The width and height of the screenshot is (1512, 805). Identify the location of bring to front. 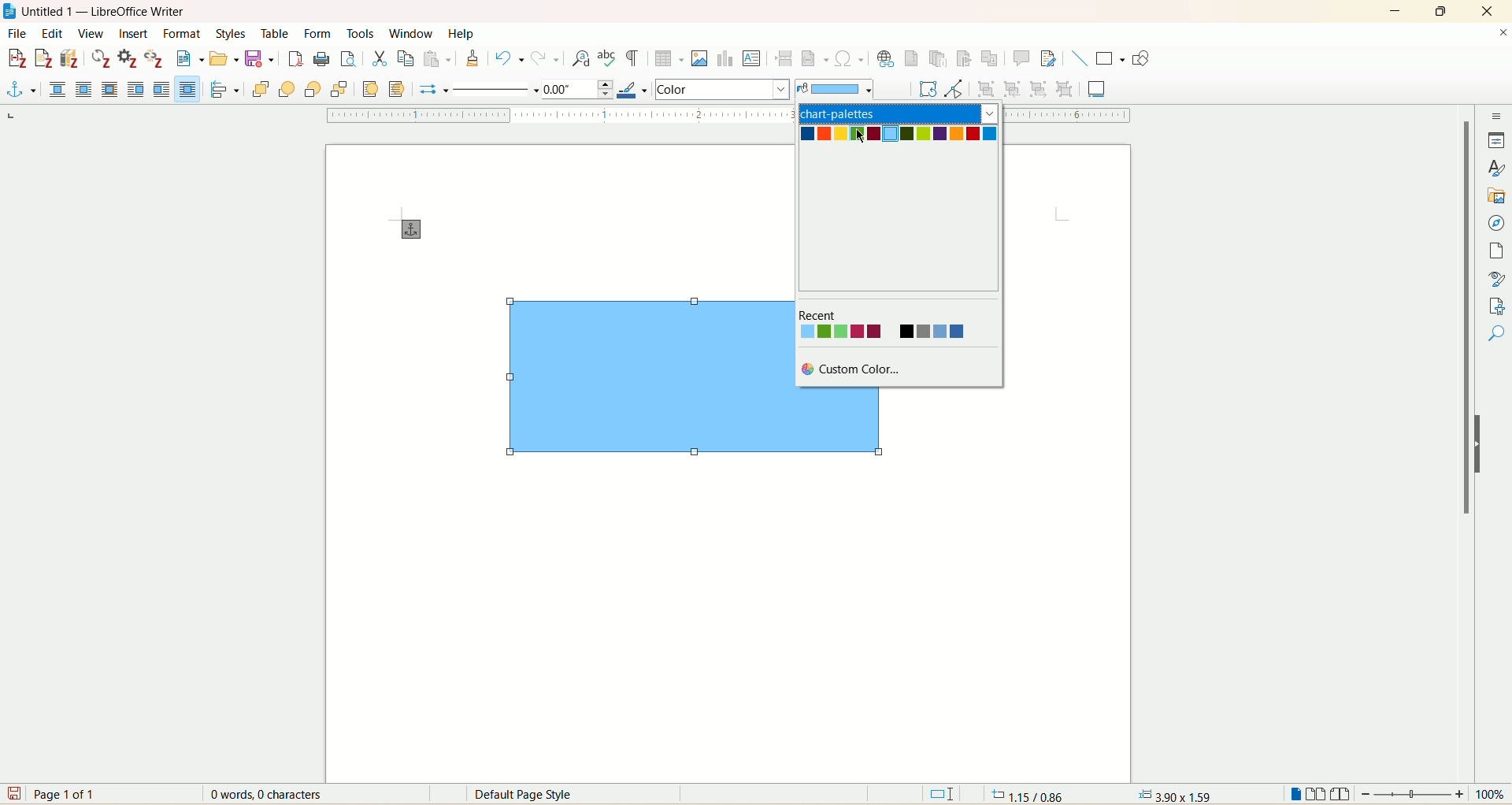
(261, 88).